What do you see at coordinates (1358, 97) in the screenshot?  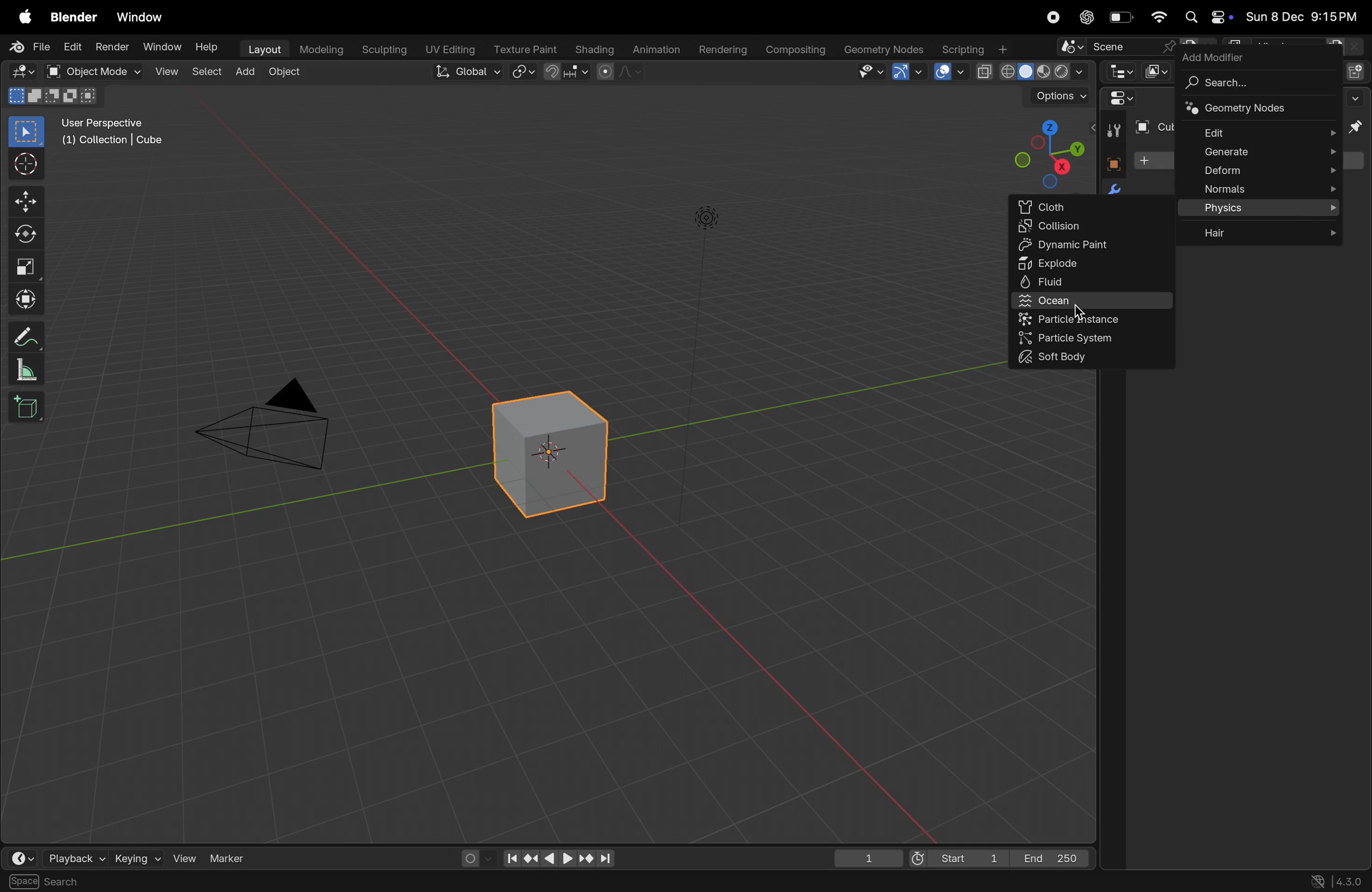 I see `drop down` at bounding box center [1358, 97].